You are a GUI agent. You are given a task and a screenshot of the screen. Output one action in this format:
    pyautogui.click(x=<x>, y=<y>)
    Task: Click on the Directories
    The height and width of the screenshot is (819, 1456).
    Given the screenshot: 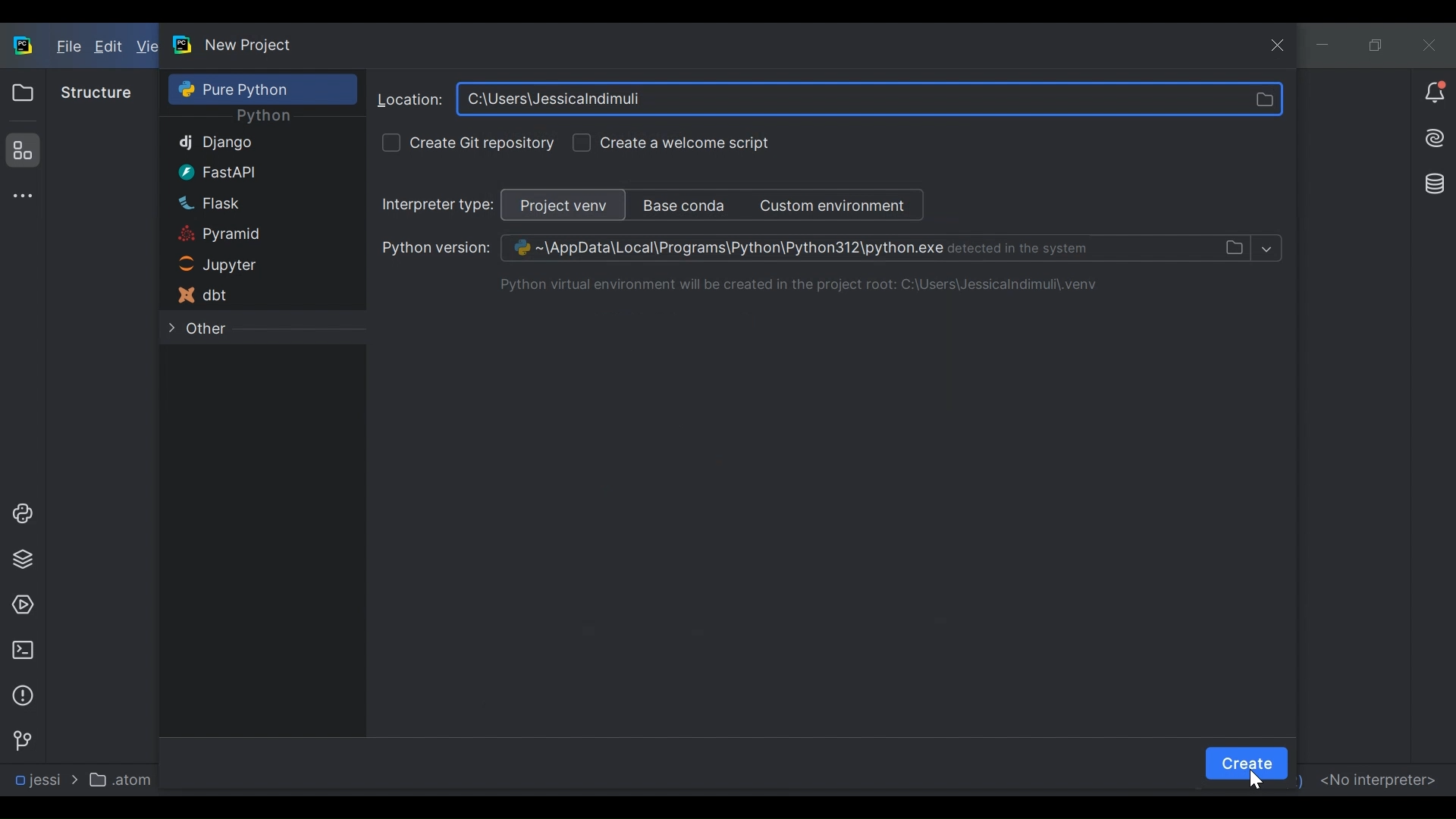 What is the action you would take?
    pyautogui.click(x=874, y=98)
    